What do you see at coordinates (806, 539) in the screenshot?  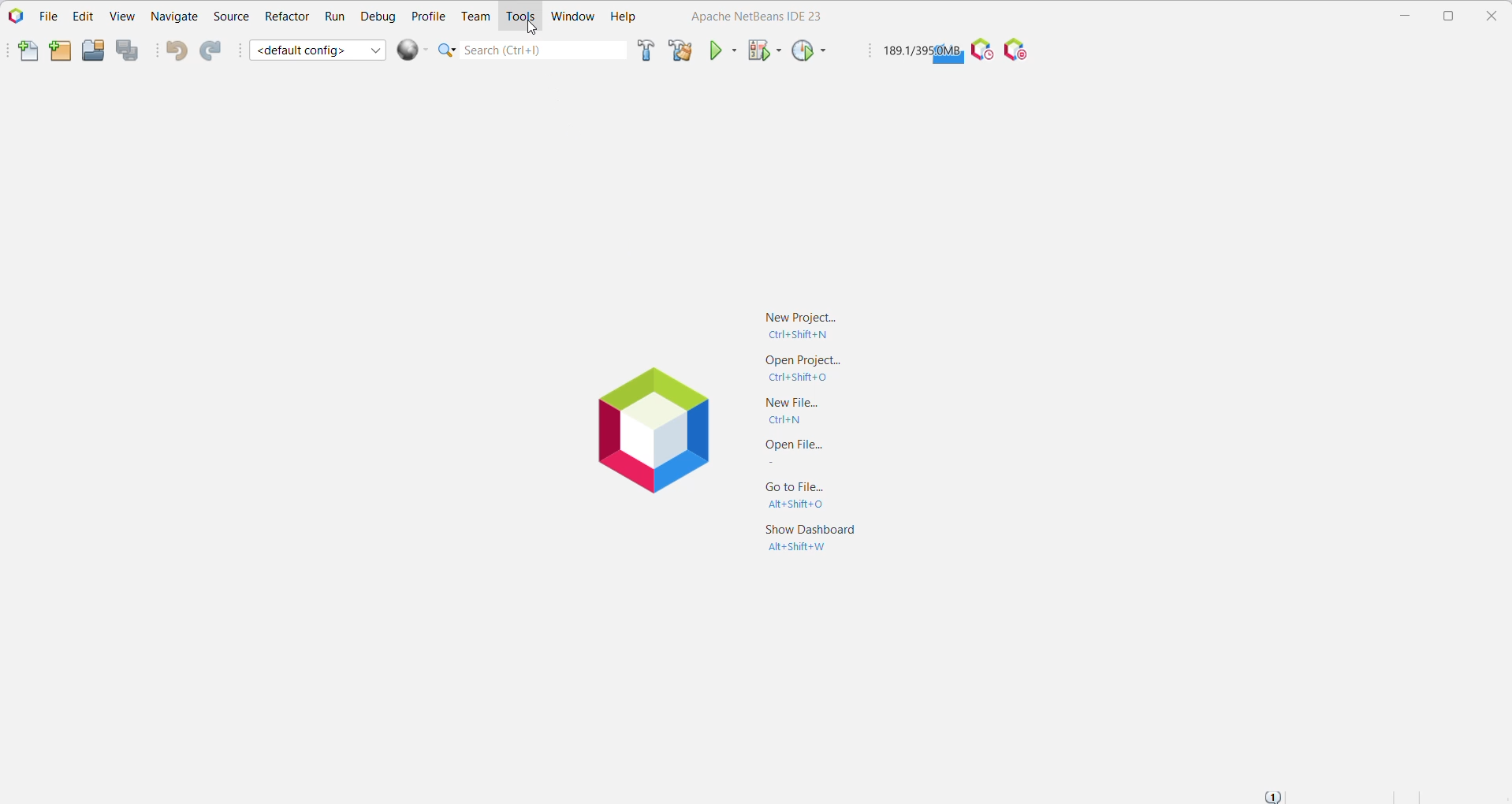 I see `Show Dashboard` at bounding box center [806, 539].